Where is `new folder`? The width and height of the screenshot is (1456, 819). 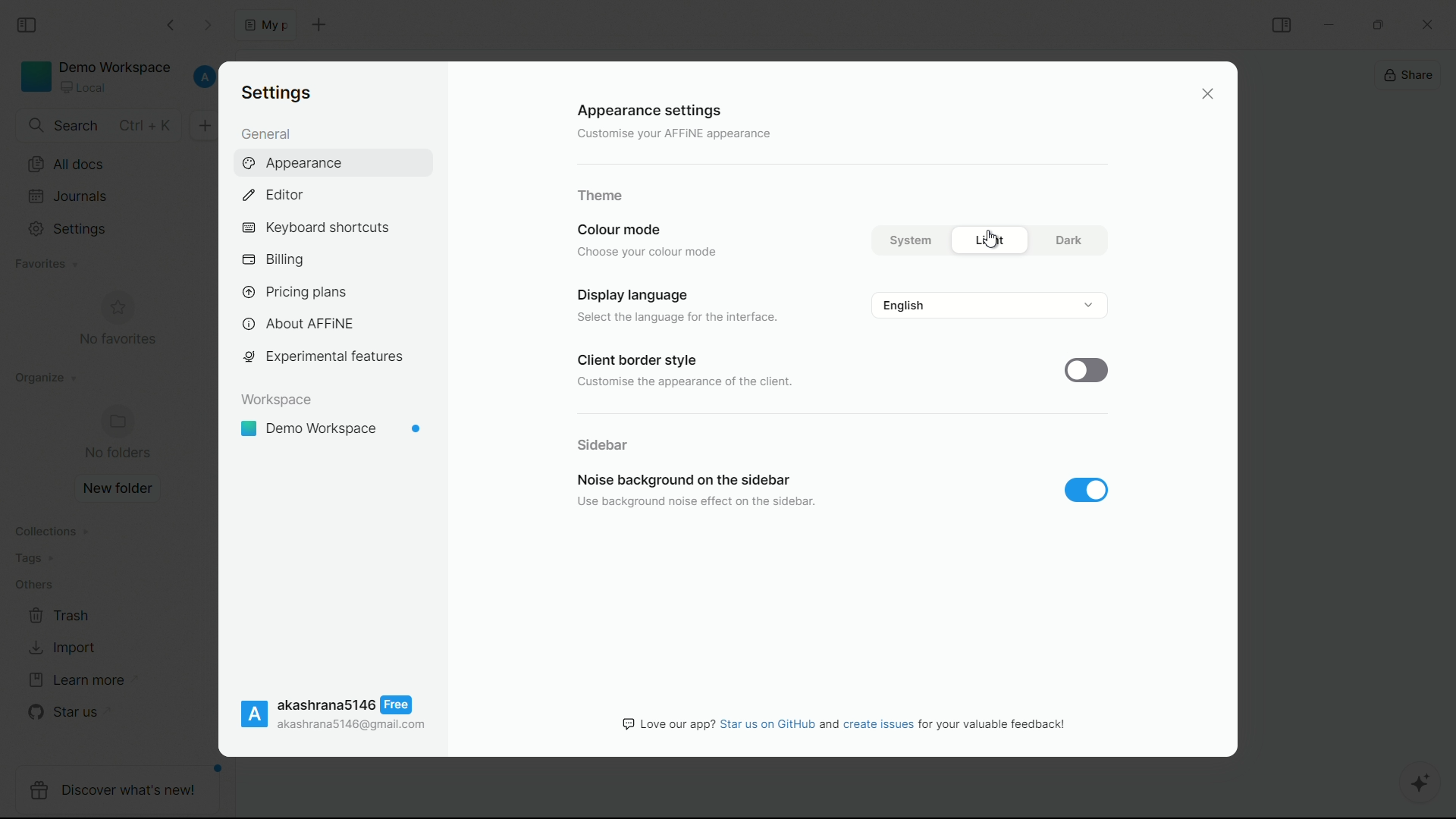
new folder is located at coordinates (118, 488).